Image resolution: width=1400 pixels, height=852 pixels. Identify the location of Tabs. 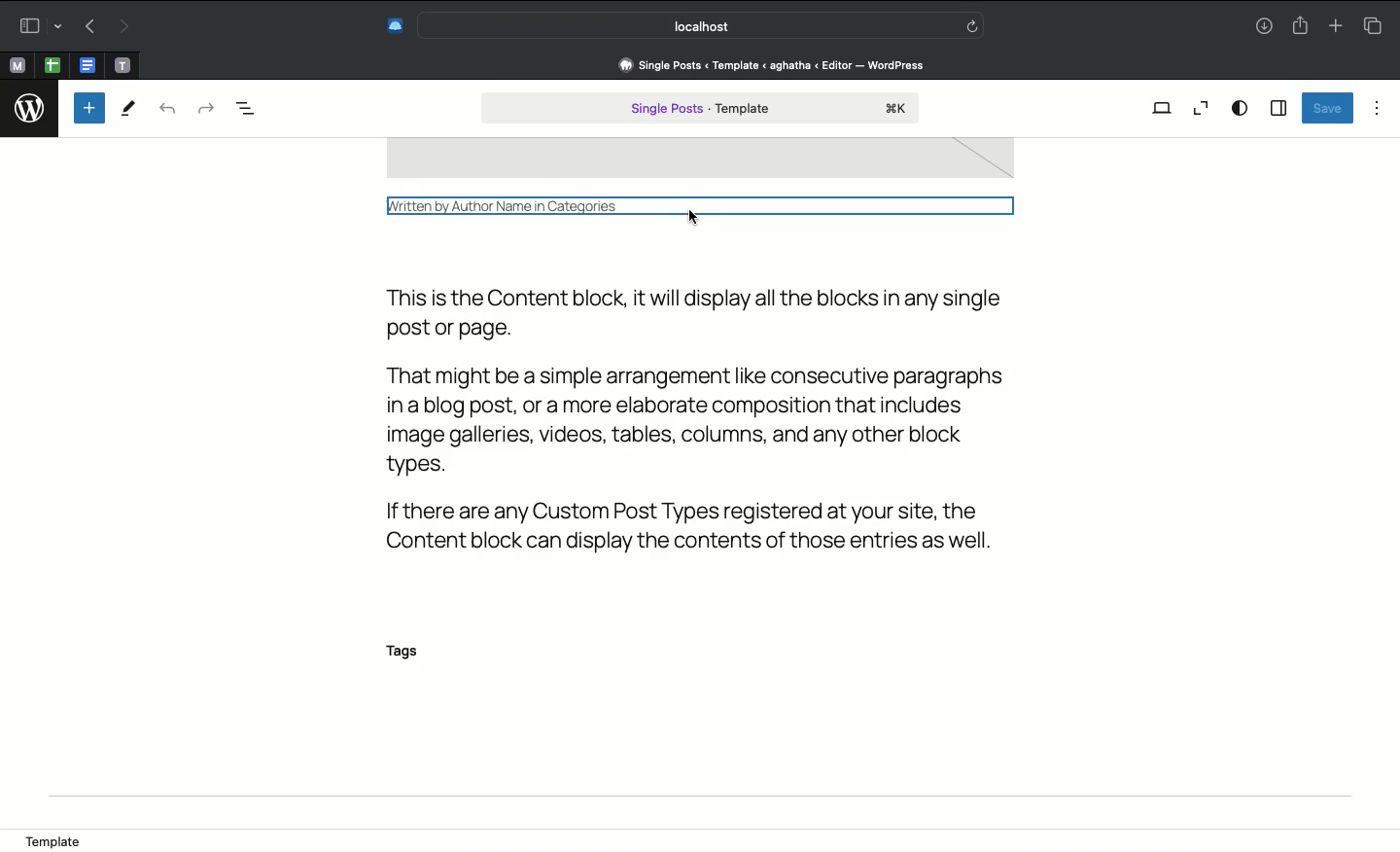
(1372, 25).